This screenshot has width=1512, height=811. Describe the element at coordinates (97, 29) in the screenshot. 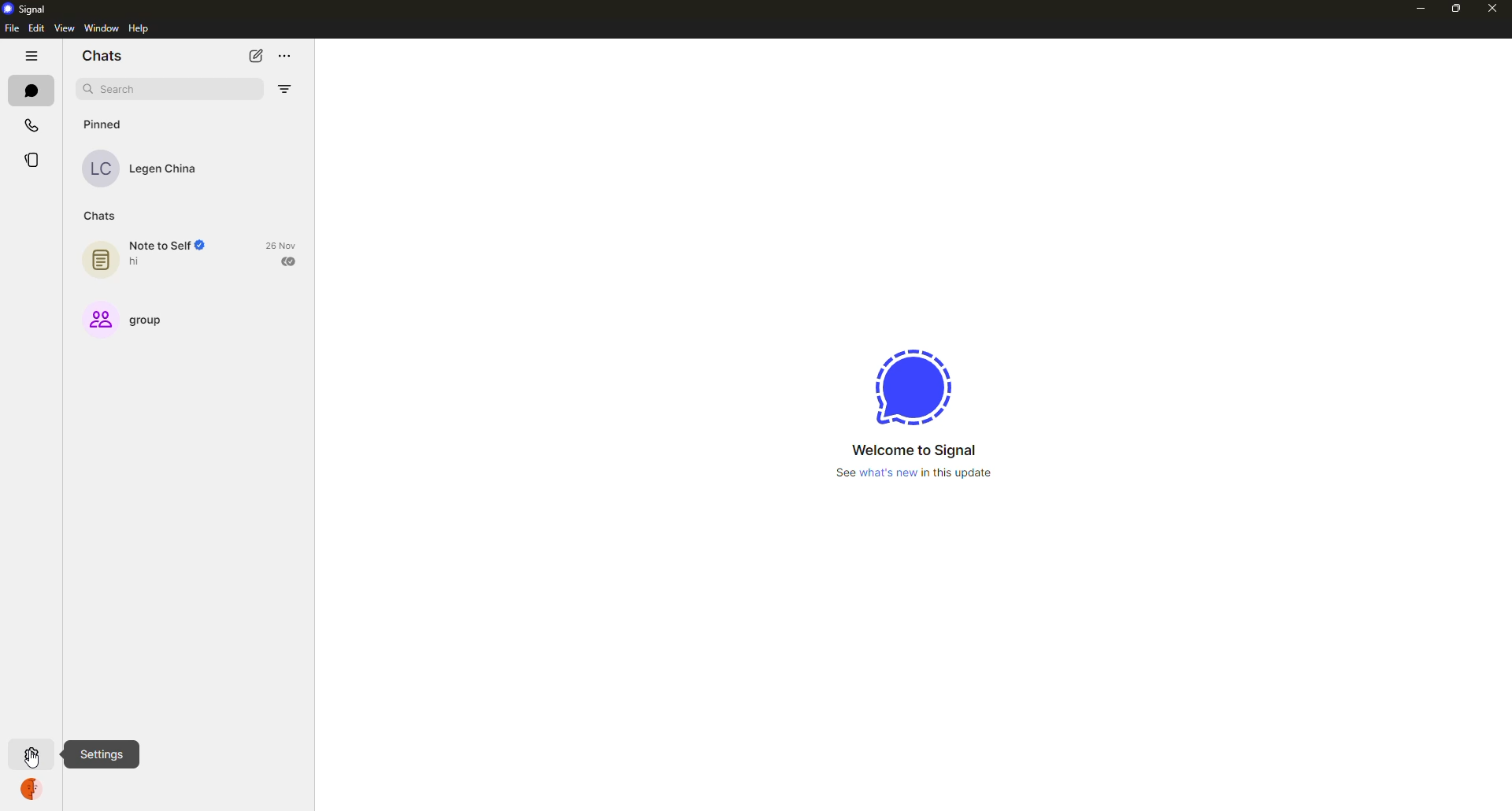

I see `window` at that location.